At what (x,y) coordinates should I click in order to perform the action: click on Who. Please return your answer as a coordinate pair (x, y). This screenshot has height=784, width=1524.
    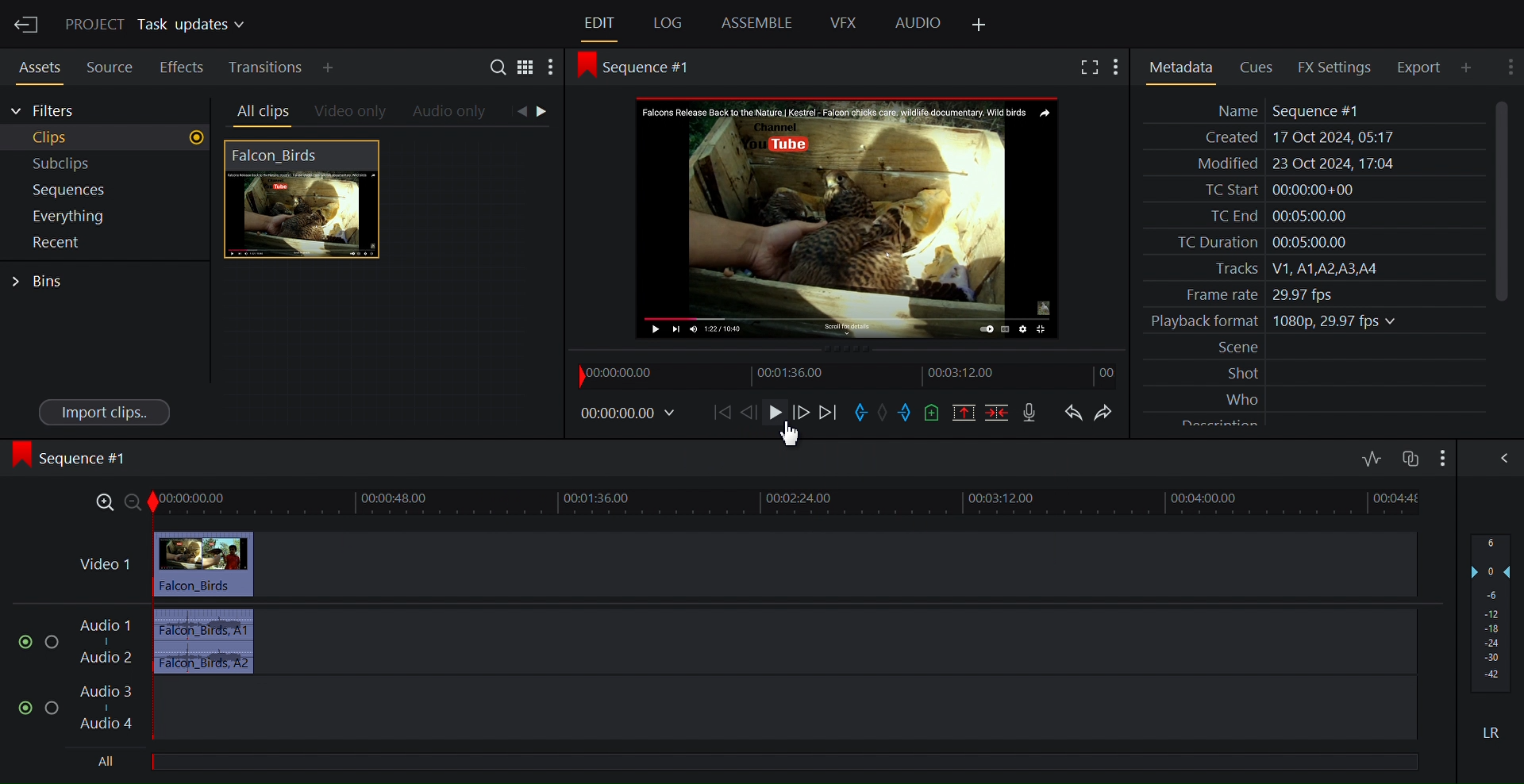
    Looking at the image, I should click on (1315, 397).